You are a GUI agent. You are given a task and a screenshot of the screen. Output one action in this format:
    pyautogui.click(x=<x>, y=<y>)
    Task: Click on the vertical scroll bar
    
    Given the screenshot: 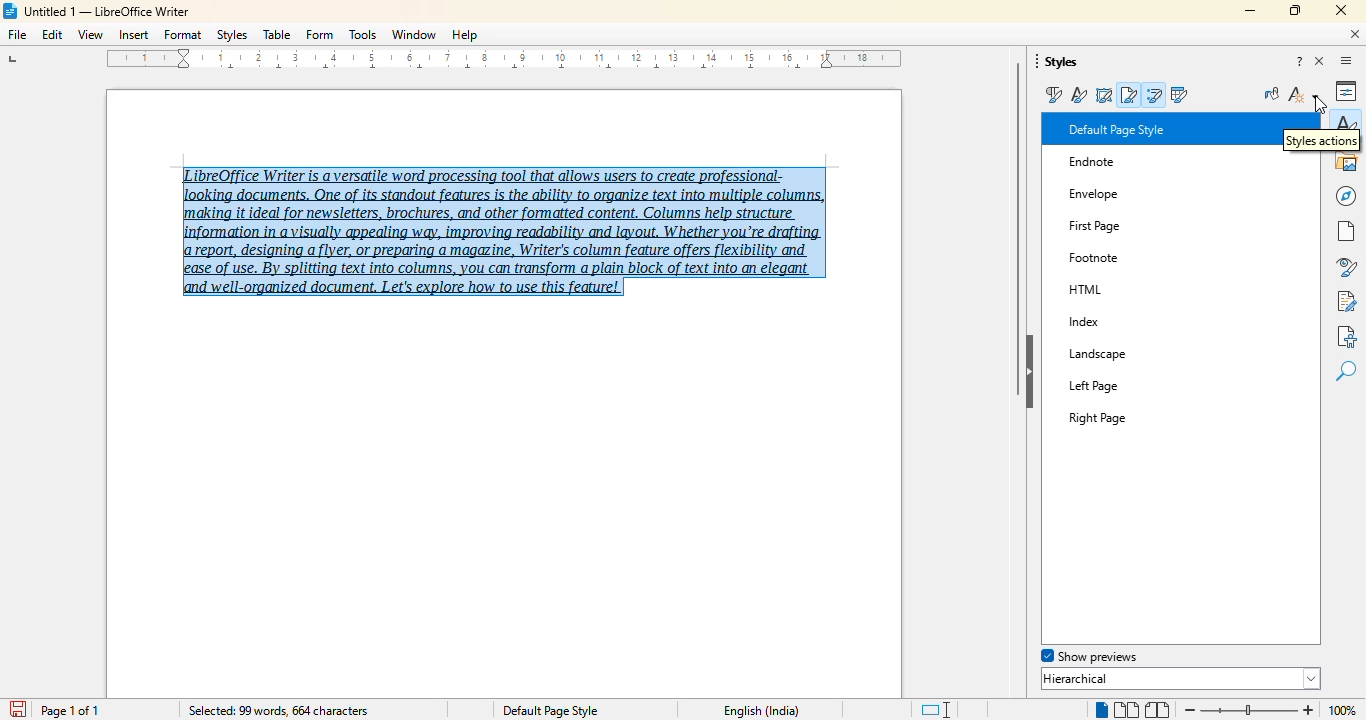 What is the action you would take?
    pyautogui.click(x=1019, y=228)
    